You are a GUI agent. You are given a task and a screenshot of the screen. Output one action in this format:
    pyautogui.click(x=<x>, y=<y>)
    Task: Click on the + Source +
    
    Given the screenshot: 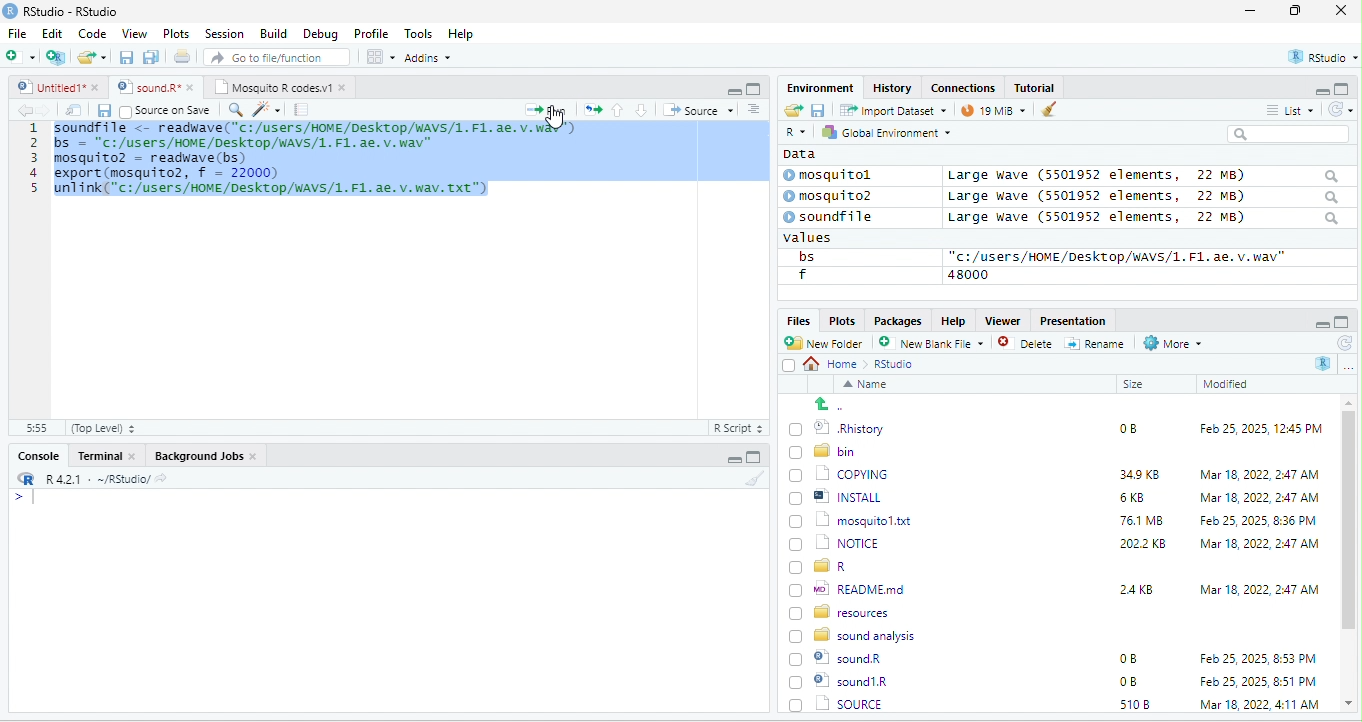 What is the action you would take?
    pyautogui.click(x=698, y=109)
    